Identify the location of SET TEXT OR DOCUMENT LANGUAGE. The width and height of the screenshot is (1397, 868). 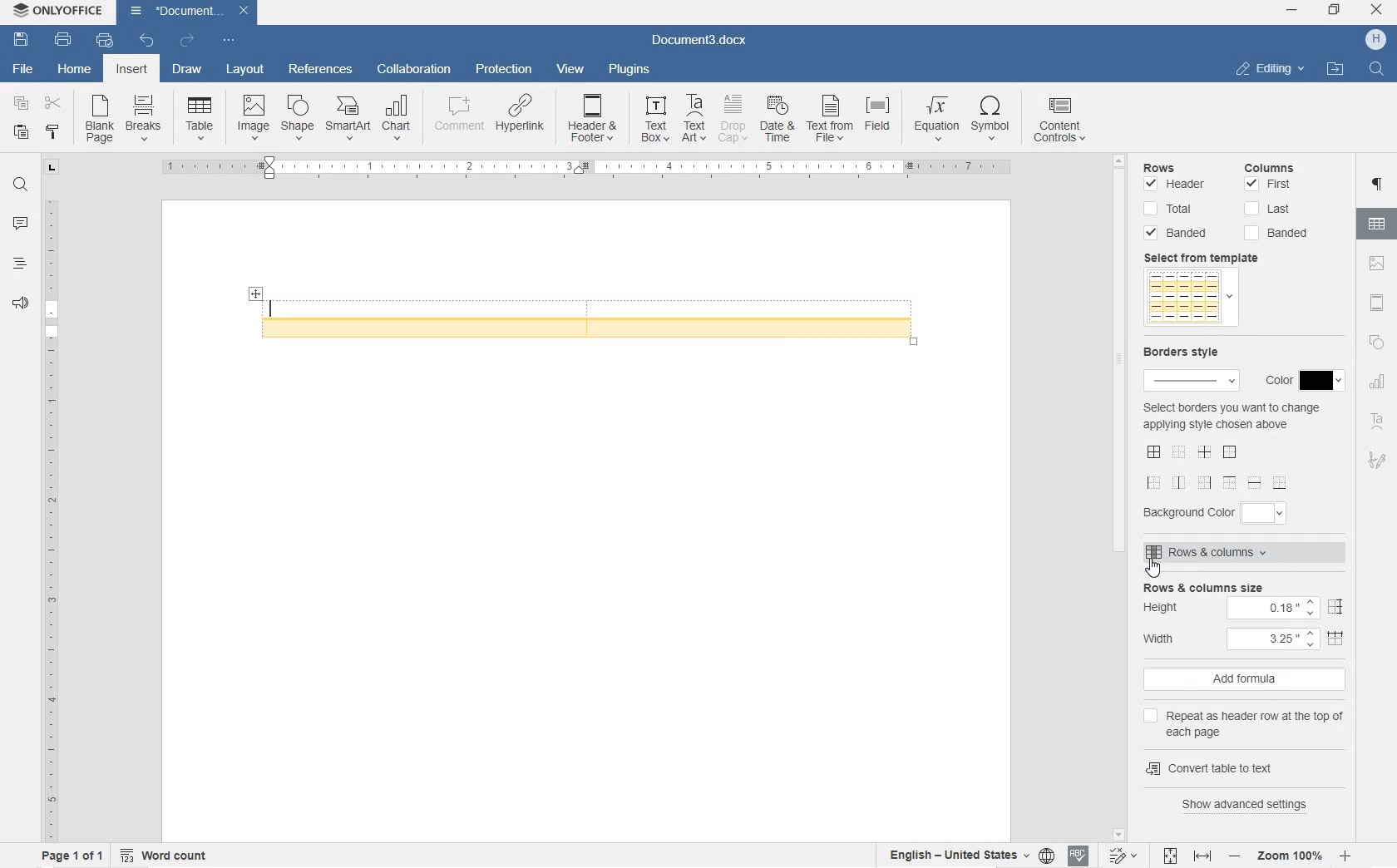
(966, 853).